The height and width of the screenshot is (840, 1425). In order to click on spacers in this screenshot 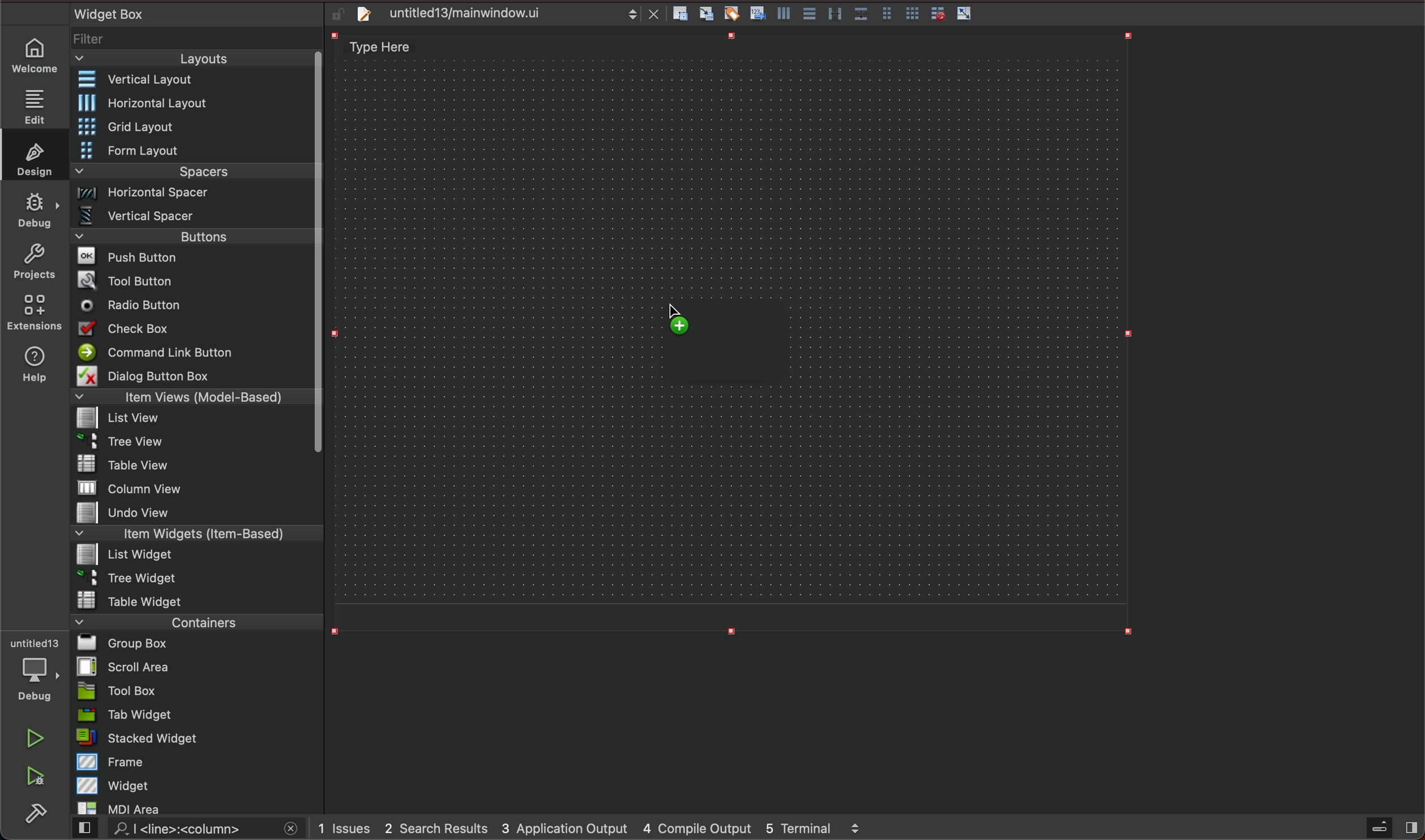, I will do `click(192, 172)`.